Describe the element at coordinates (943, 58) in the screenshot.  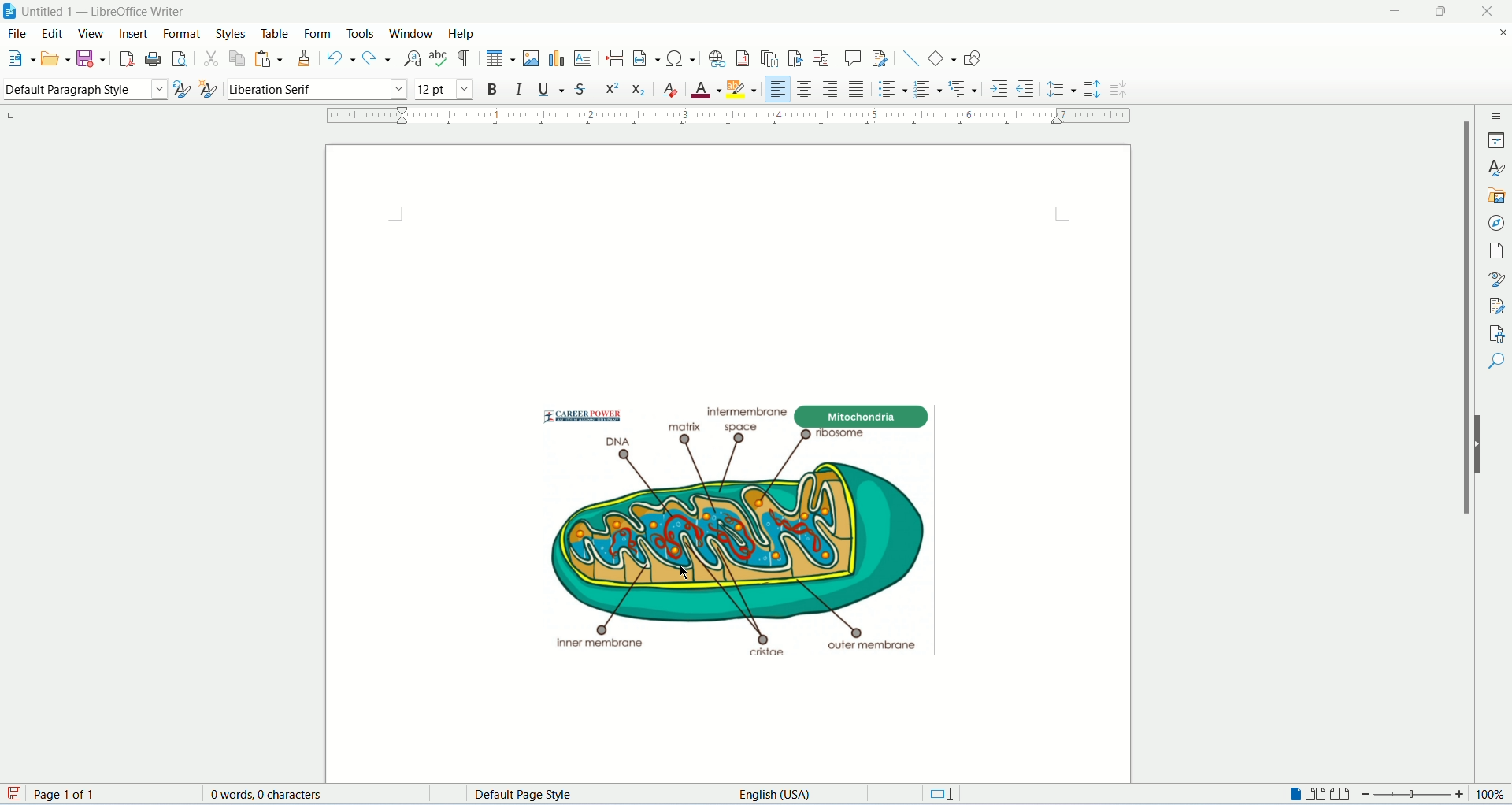
I see `basic shapes` at that location.